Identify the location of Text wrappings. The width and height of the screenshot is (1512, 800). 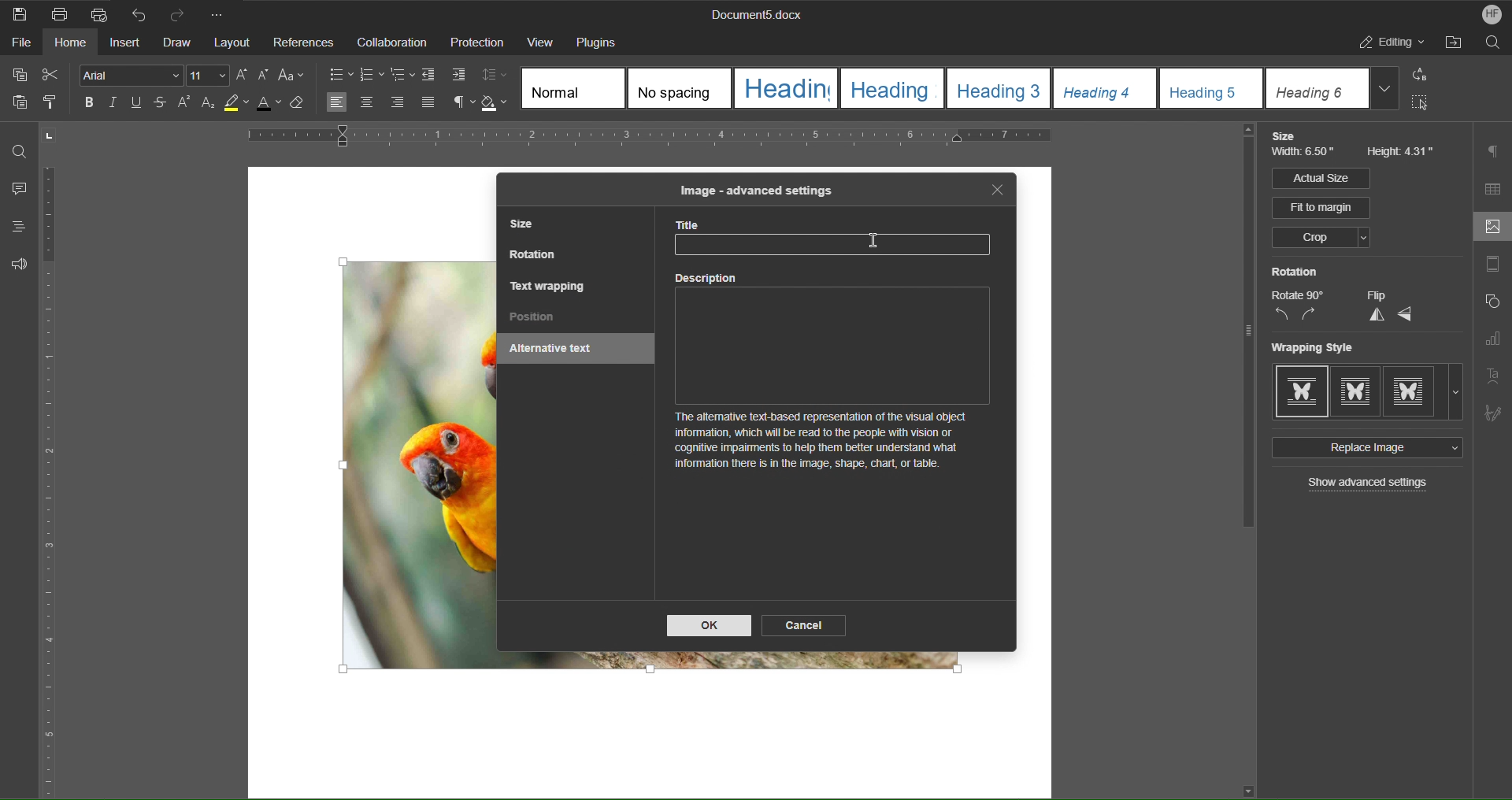
(549, 285).